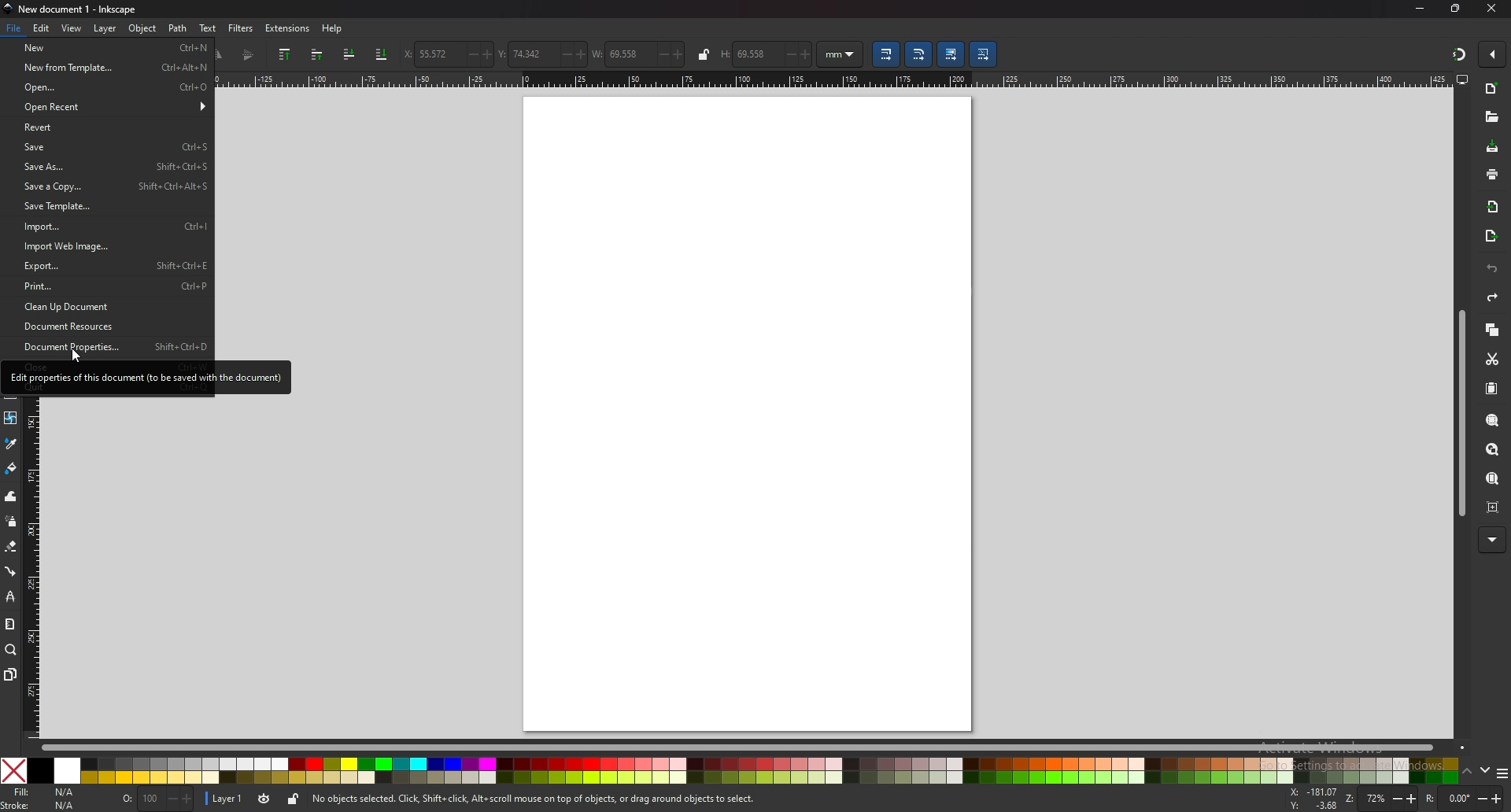 The width and height of the screenshot is (1511, 812). I want to click on move patterns, so click(985, 54).